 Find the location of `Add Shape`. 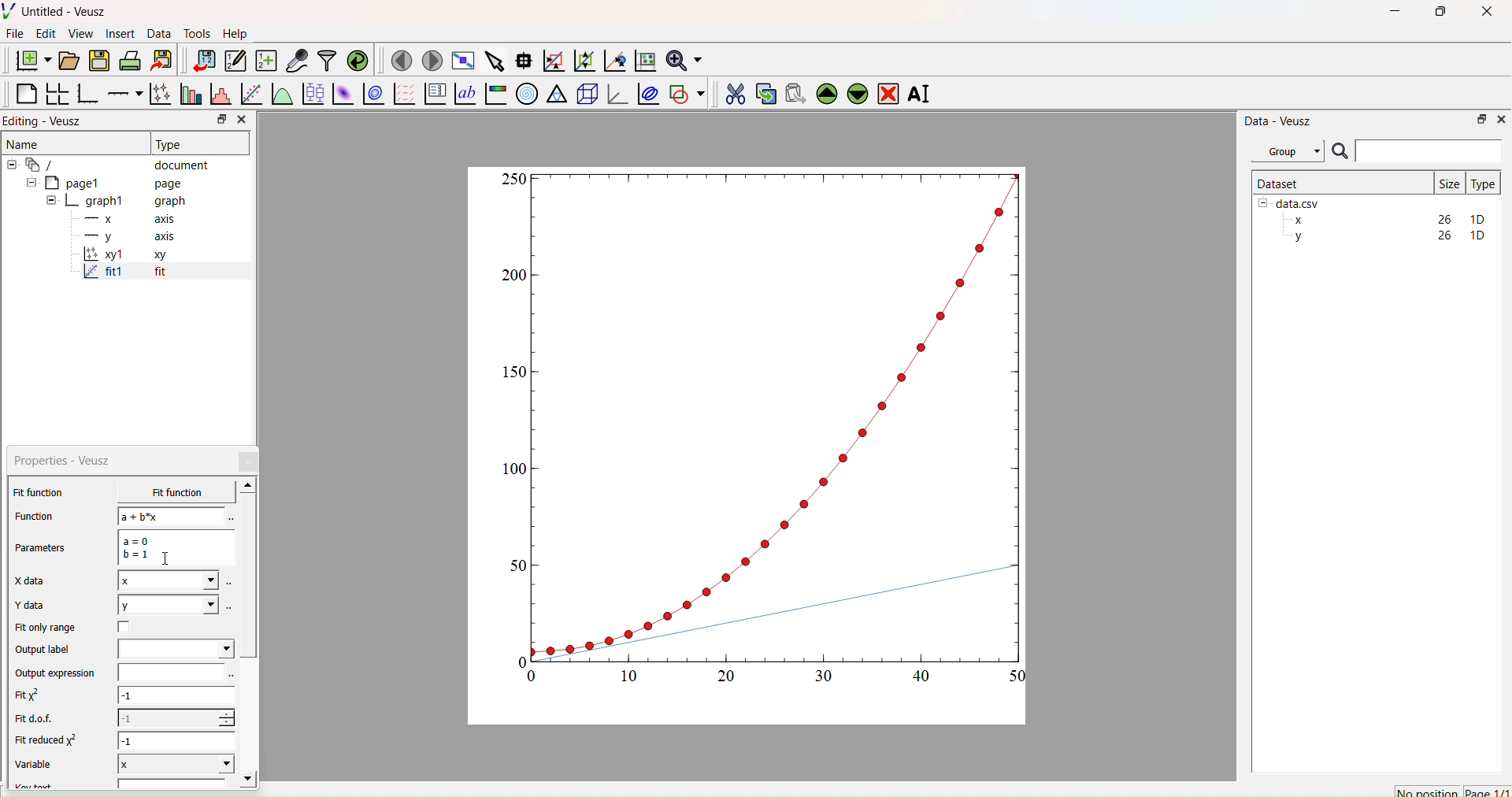

Add Shape is located at coordinates (685, 91).